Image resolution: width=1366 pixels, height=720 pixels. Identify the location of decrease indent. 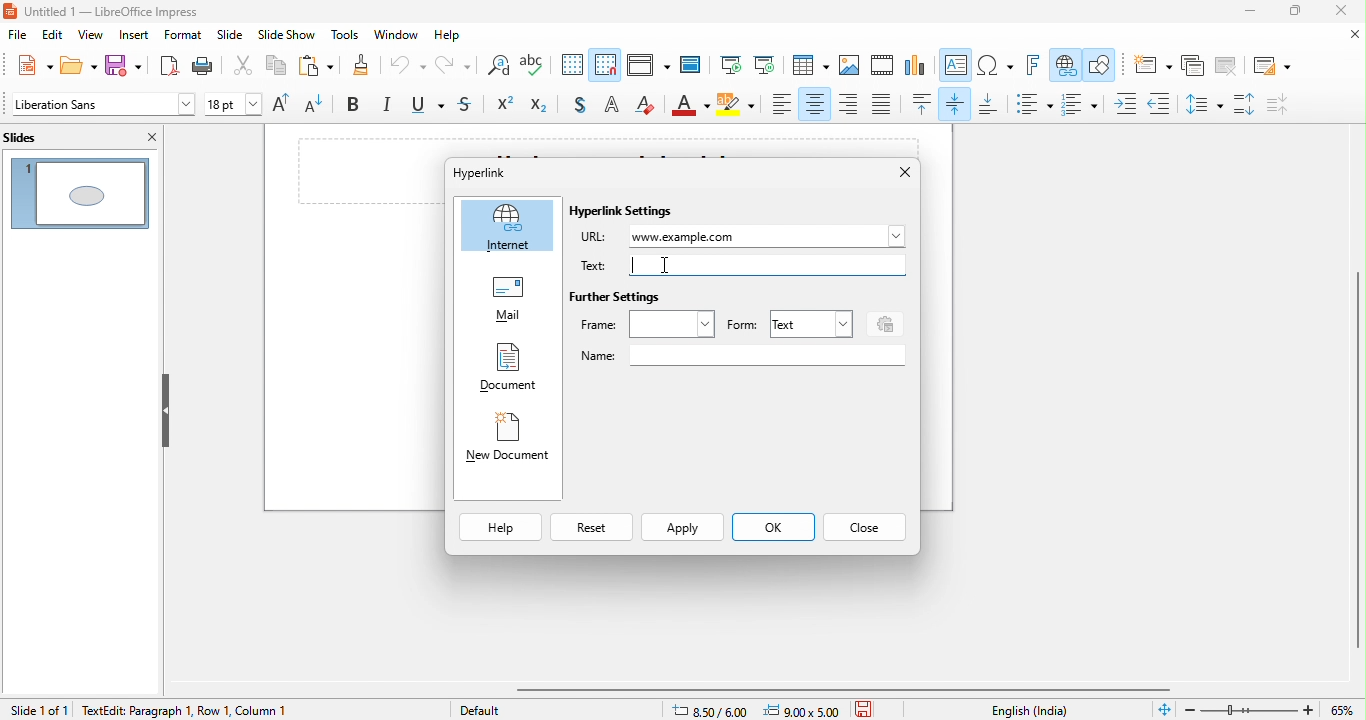
(1159, 101).